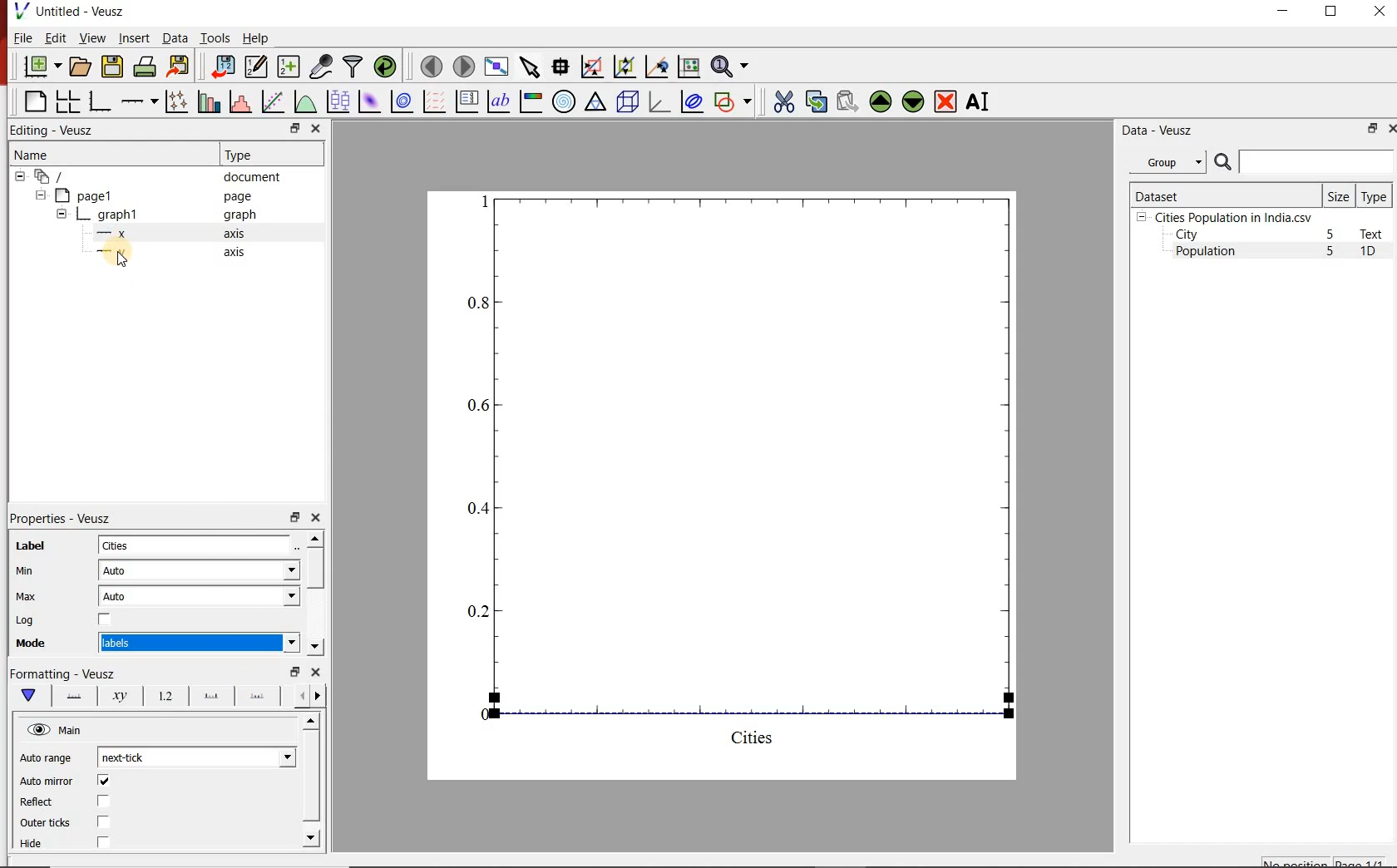 The image size is (1397, 868). What do you see at coordinates (315, 518) in the screenshot?
I see `close` at bounding box center [315, 518].